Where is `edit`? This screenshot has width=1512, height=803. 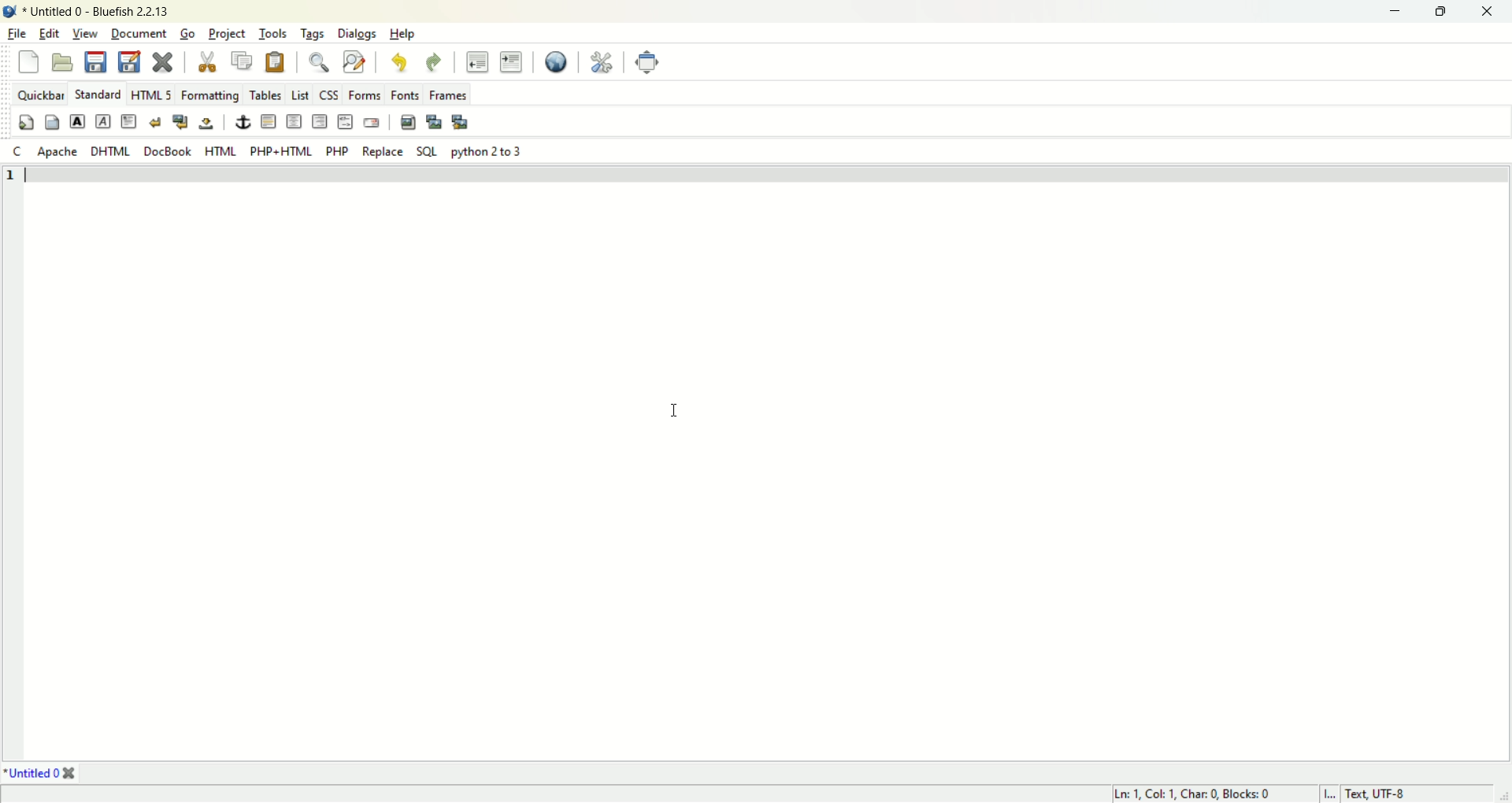
edit is located at coordinates (49, 34).